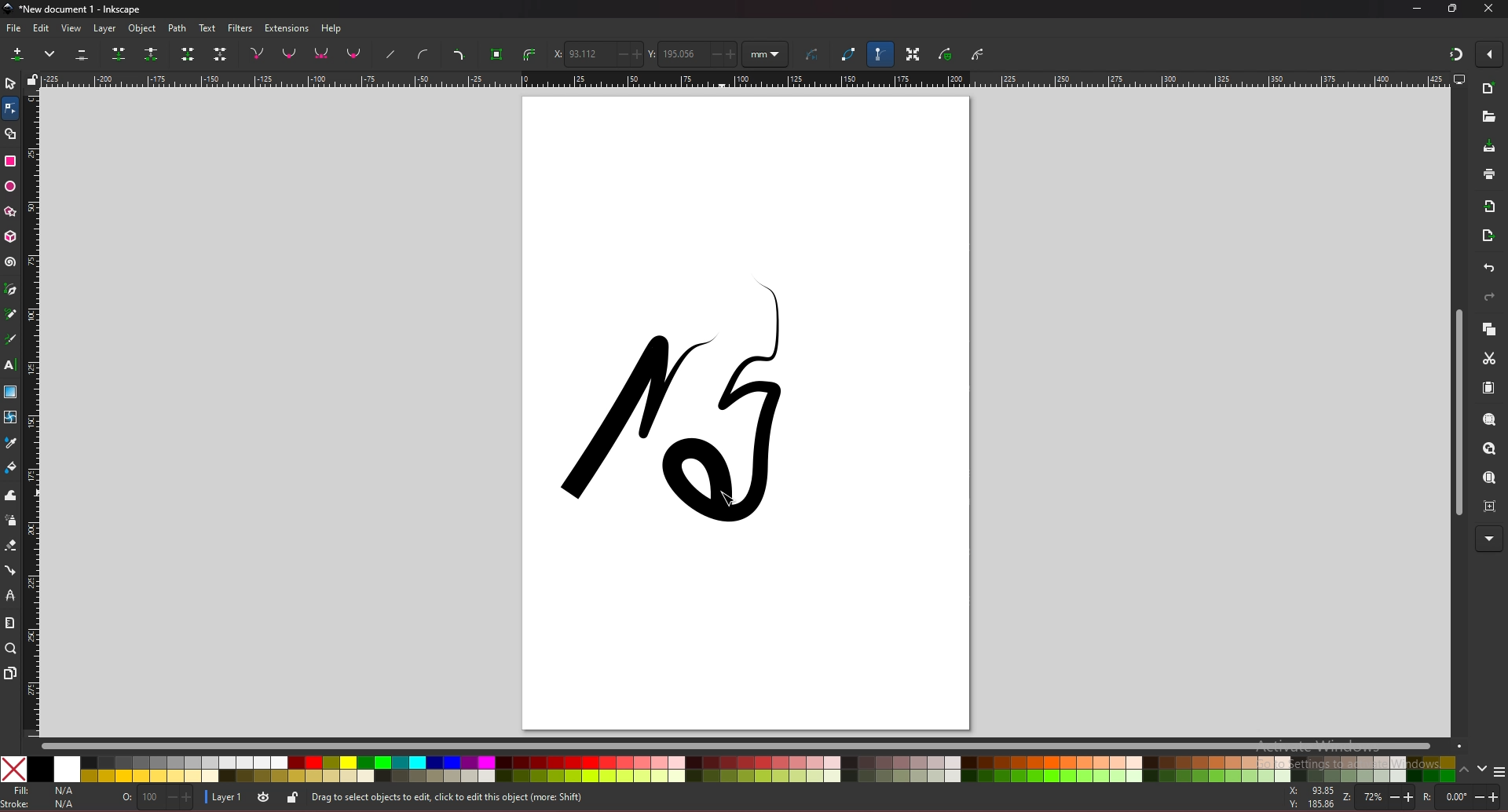  What do you see at coordinates (257, 53) in the screenshot?
I see `node corner` at bounding box center [257, 53].